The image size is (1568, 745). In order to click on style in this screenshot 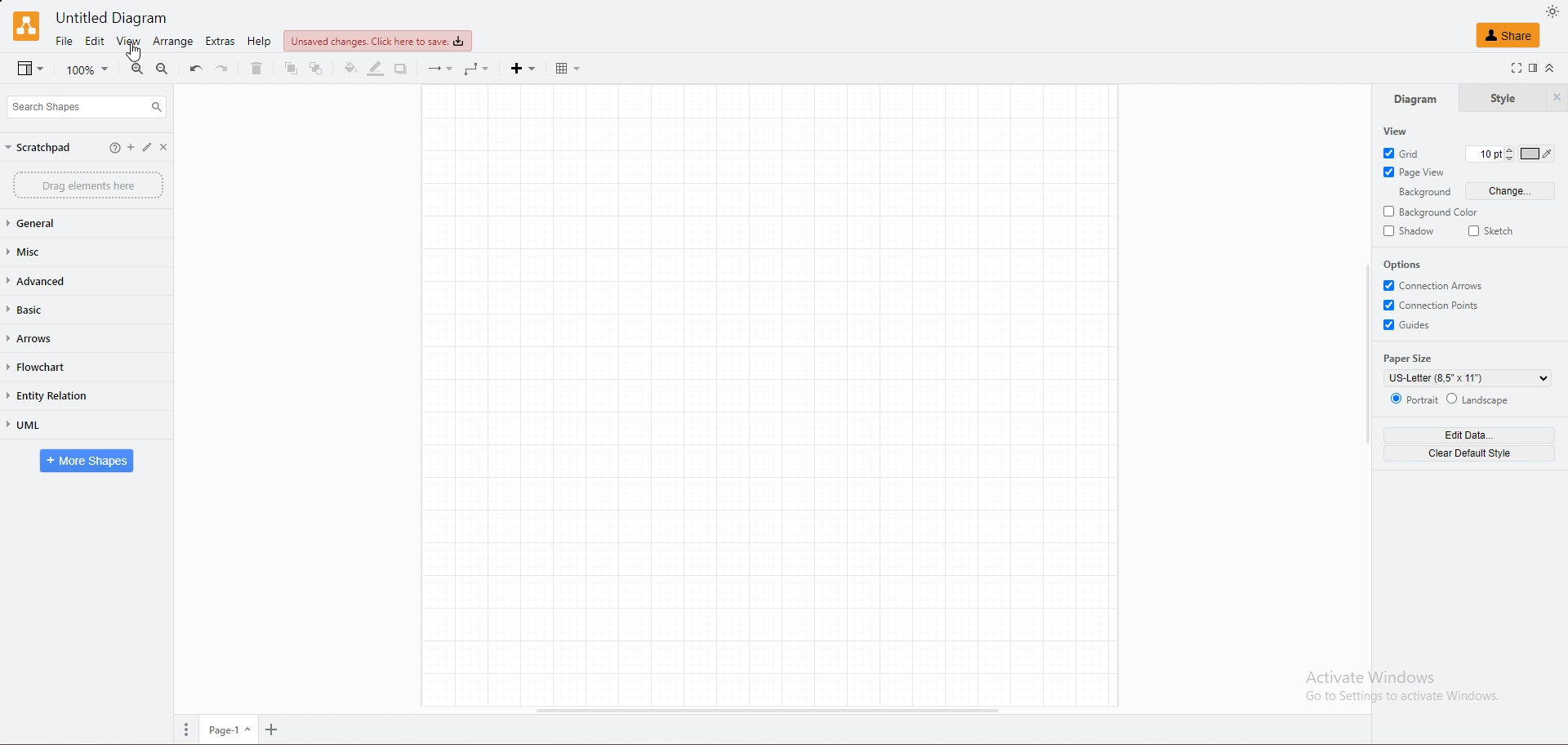, I will do `click(1502, 99)`.